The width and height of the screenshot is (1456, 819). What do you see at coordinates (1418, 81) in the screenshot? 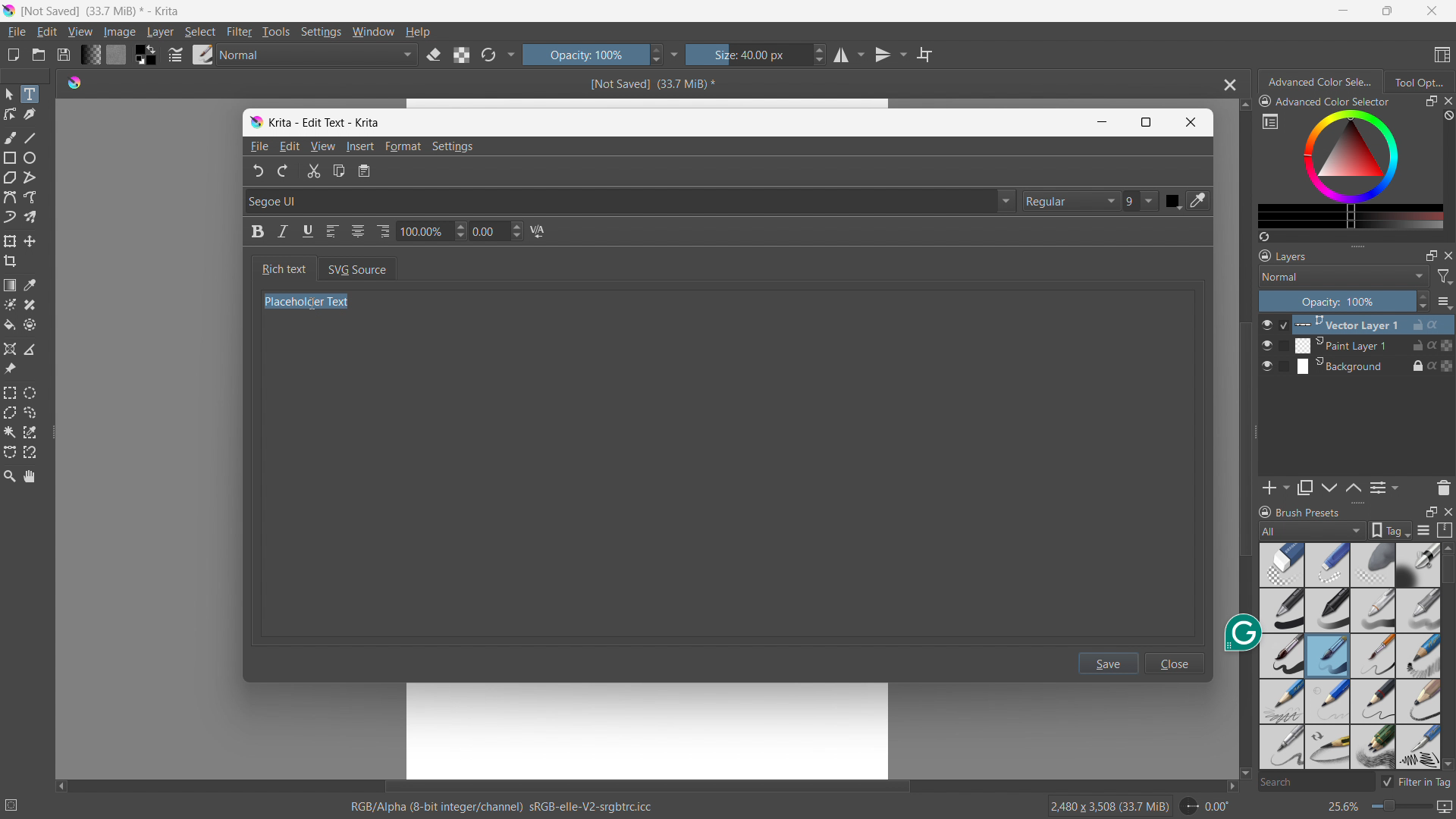
I see `tool options` at bounding box center [1418, 81].